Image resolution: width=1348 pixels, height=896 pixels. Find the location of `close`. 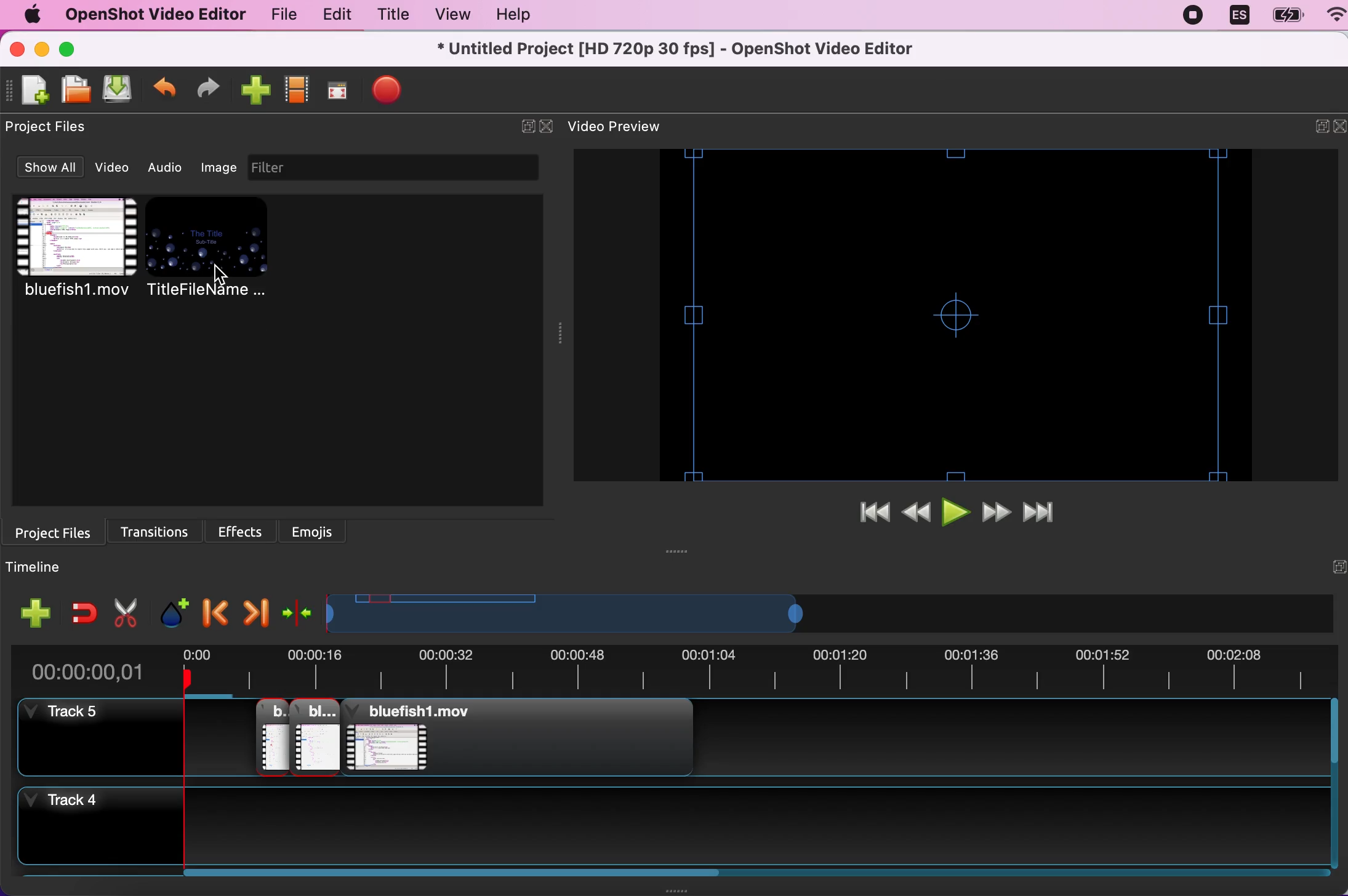

close is located at coordinates (18, 49).